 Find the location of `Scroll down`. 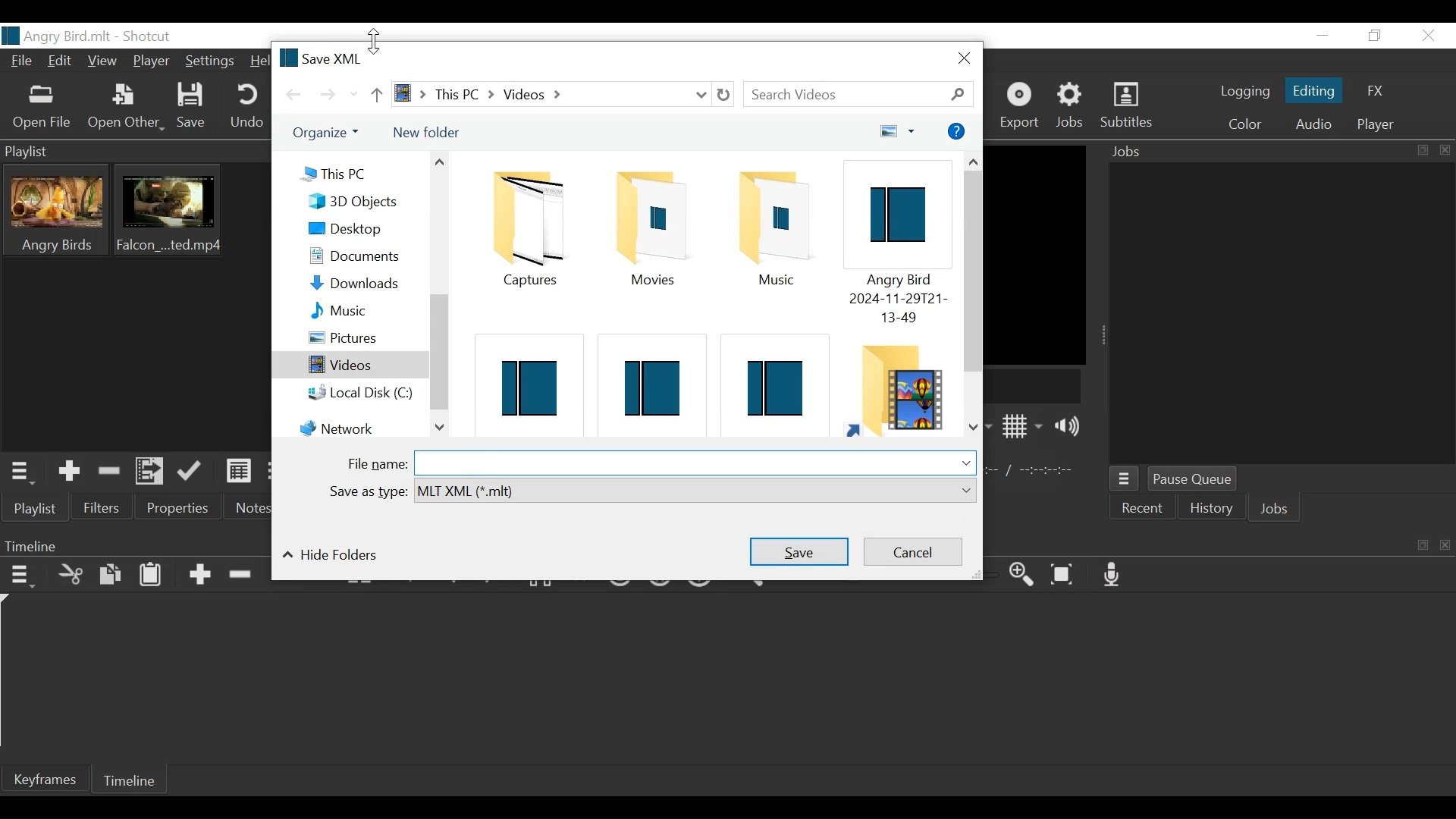

Scroll down is located at coordinates (439, 428).